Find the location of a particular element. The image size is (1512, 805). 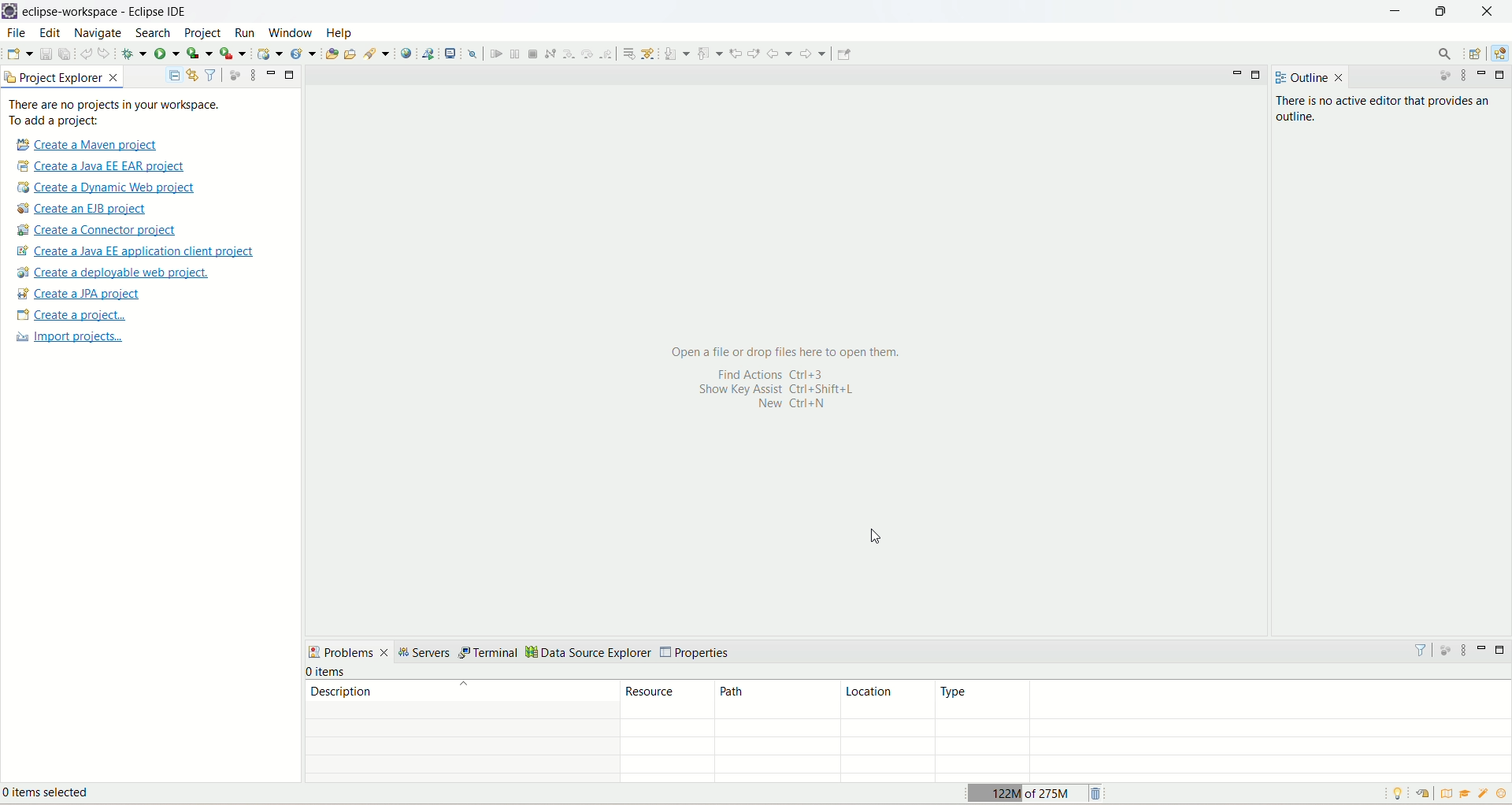

maximize is located at coordinates (1501, 75).